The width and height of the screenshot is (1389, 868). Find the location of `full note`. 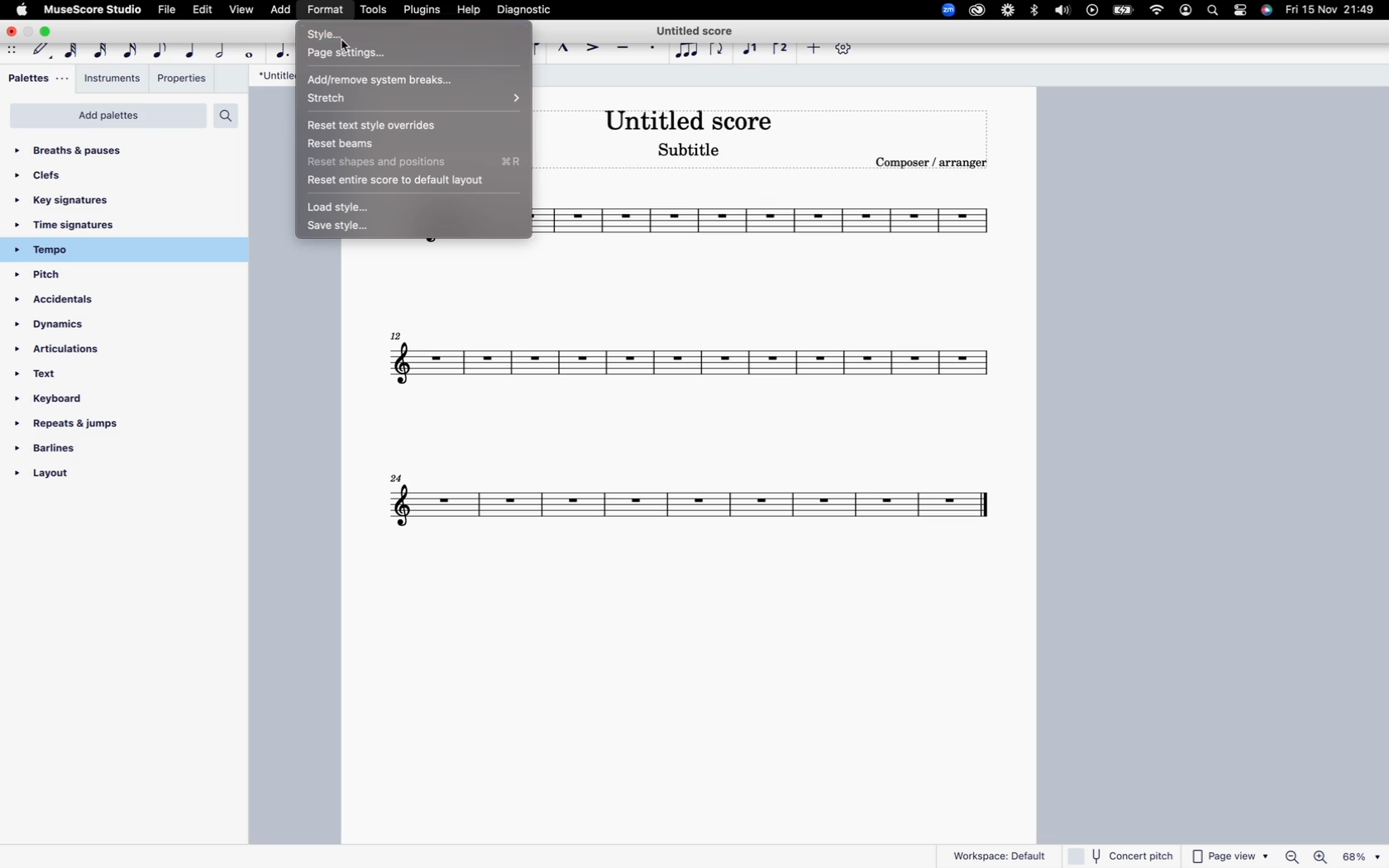

full note is located at coordinates (251, 51).